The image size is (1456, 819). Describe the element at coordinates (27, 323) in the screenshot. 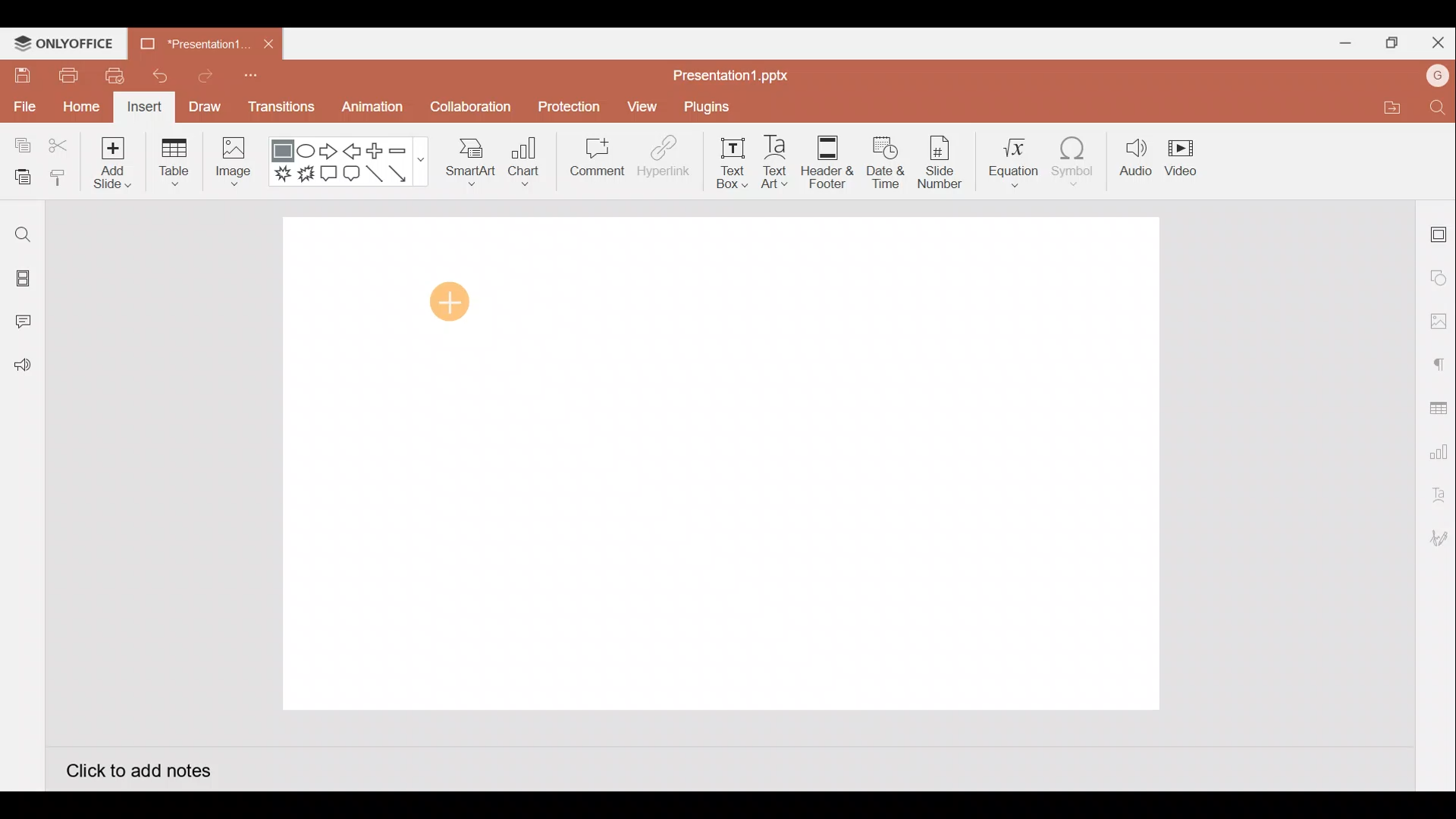

I see `Comments` at that location.